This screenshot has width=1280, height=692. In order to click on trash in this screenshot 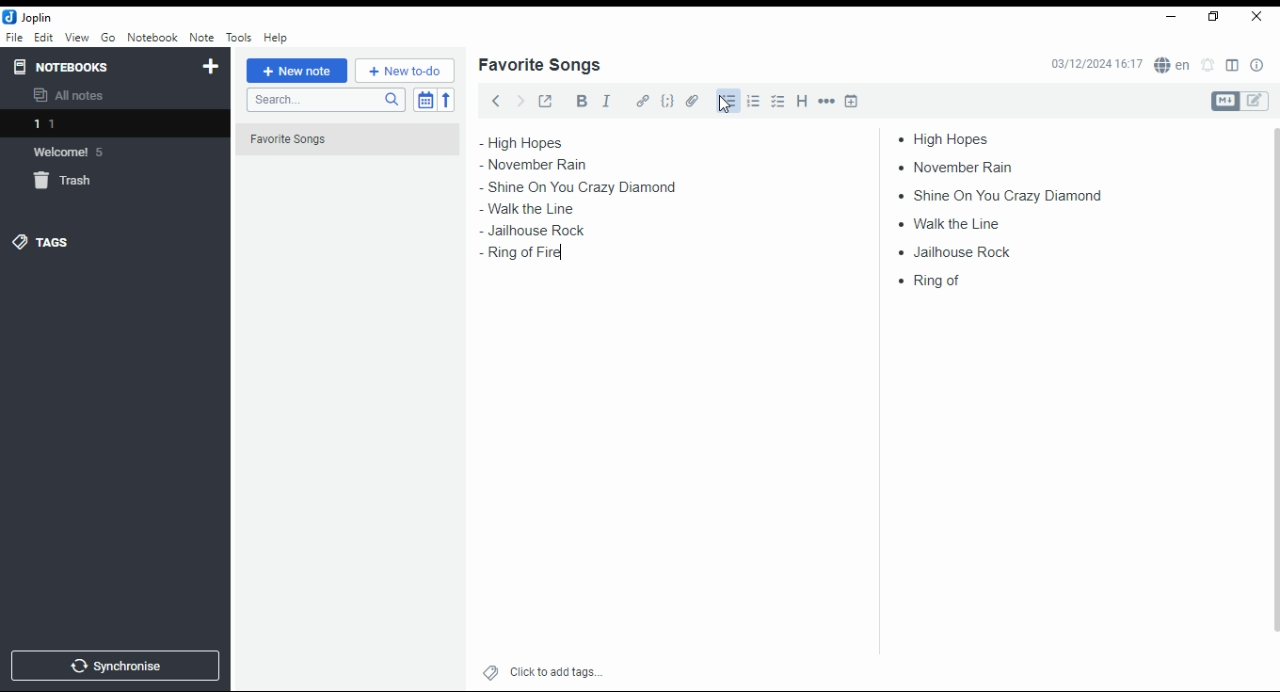, I will do `click(74, 184)`.